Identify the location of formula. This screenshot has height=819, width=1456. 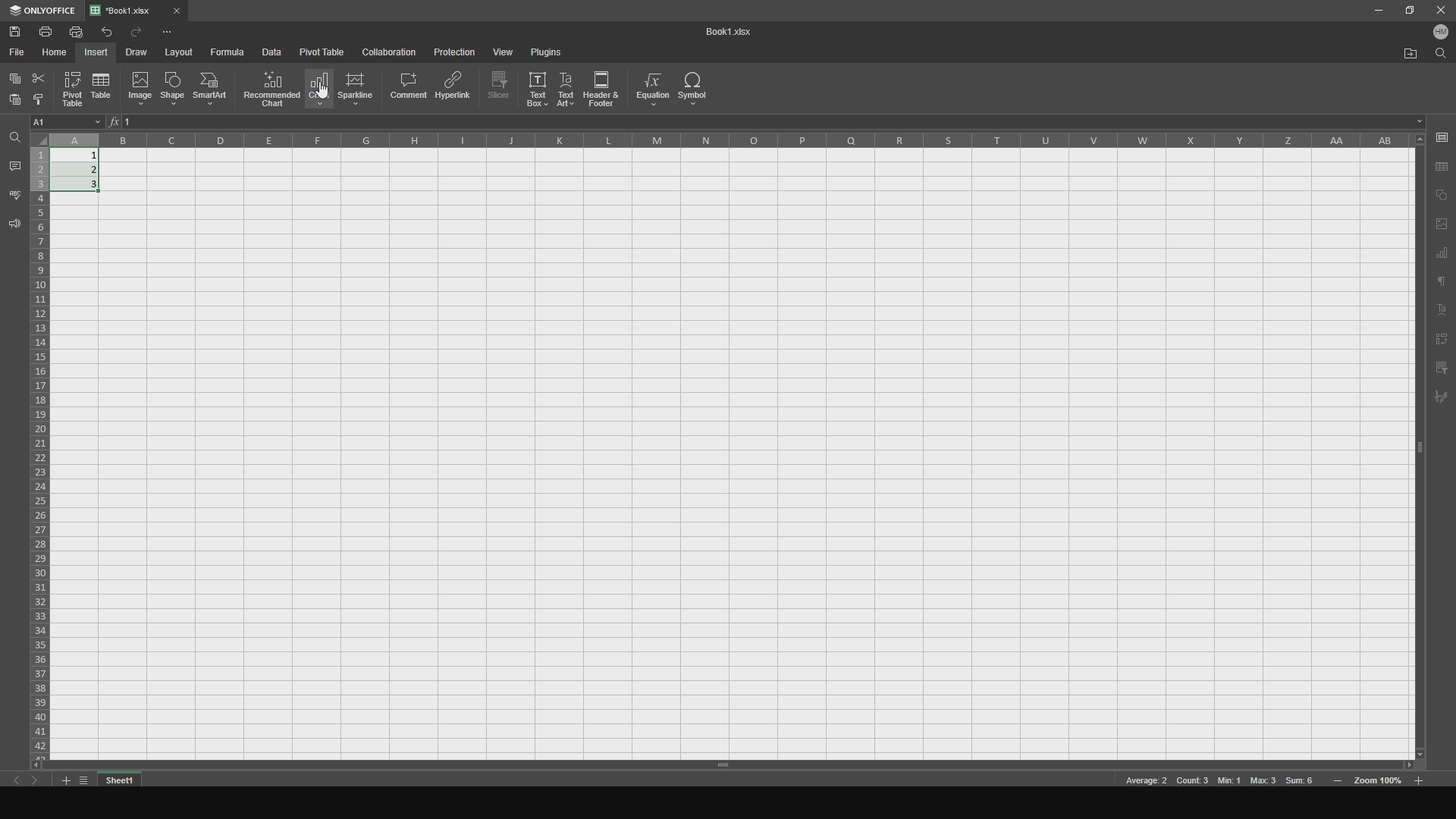
(229, 52).